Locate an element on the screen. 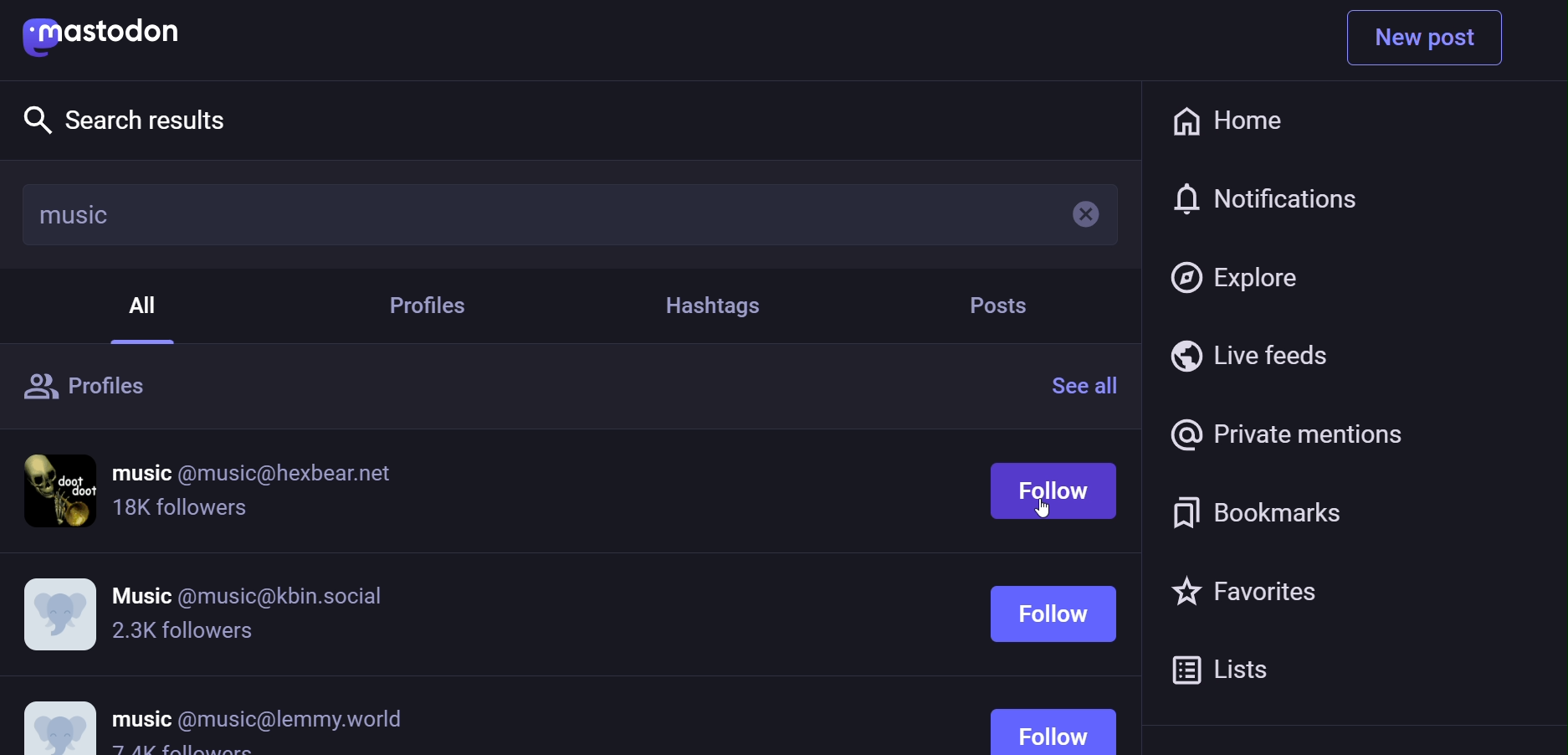   remove text is located at coordinates (1075, 218).